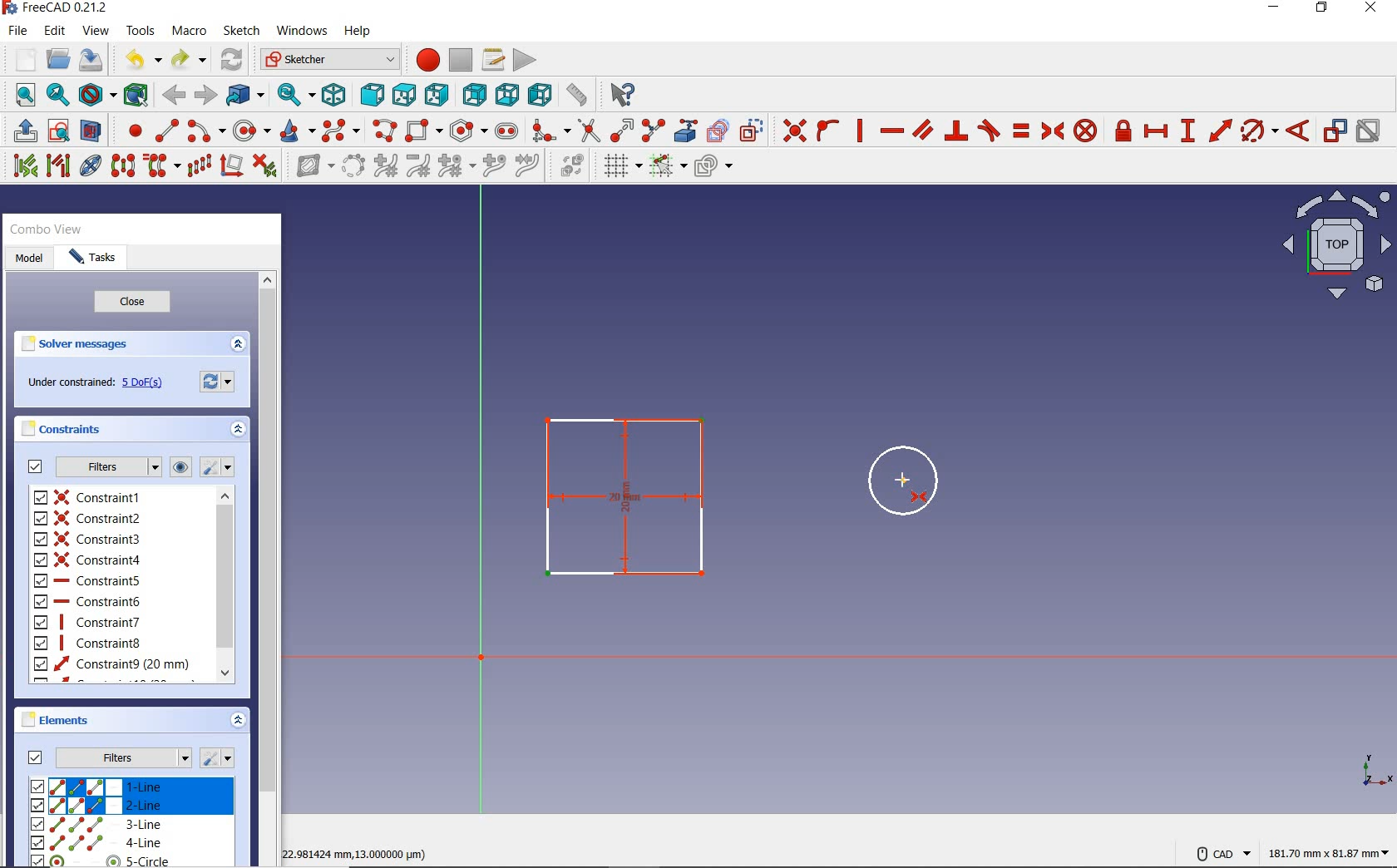 The image size is (1397, 868). I want to click on expand, so click(241, 345).